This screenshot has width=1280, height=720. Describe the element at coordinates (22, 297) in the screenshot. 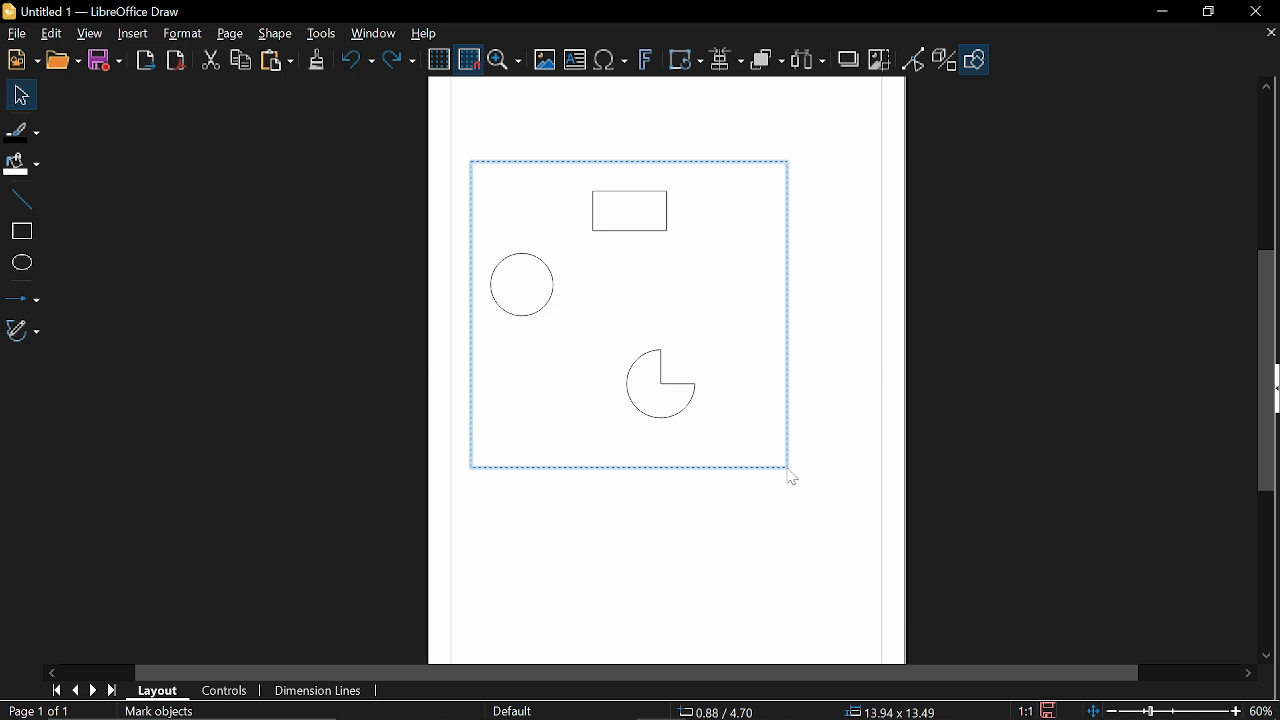

I see `Lines and arrows` at that location.